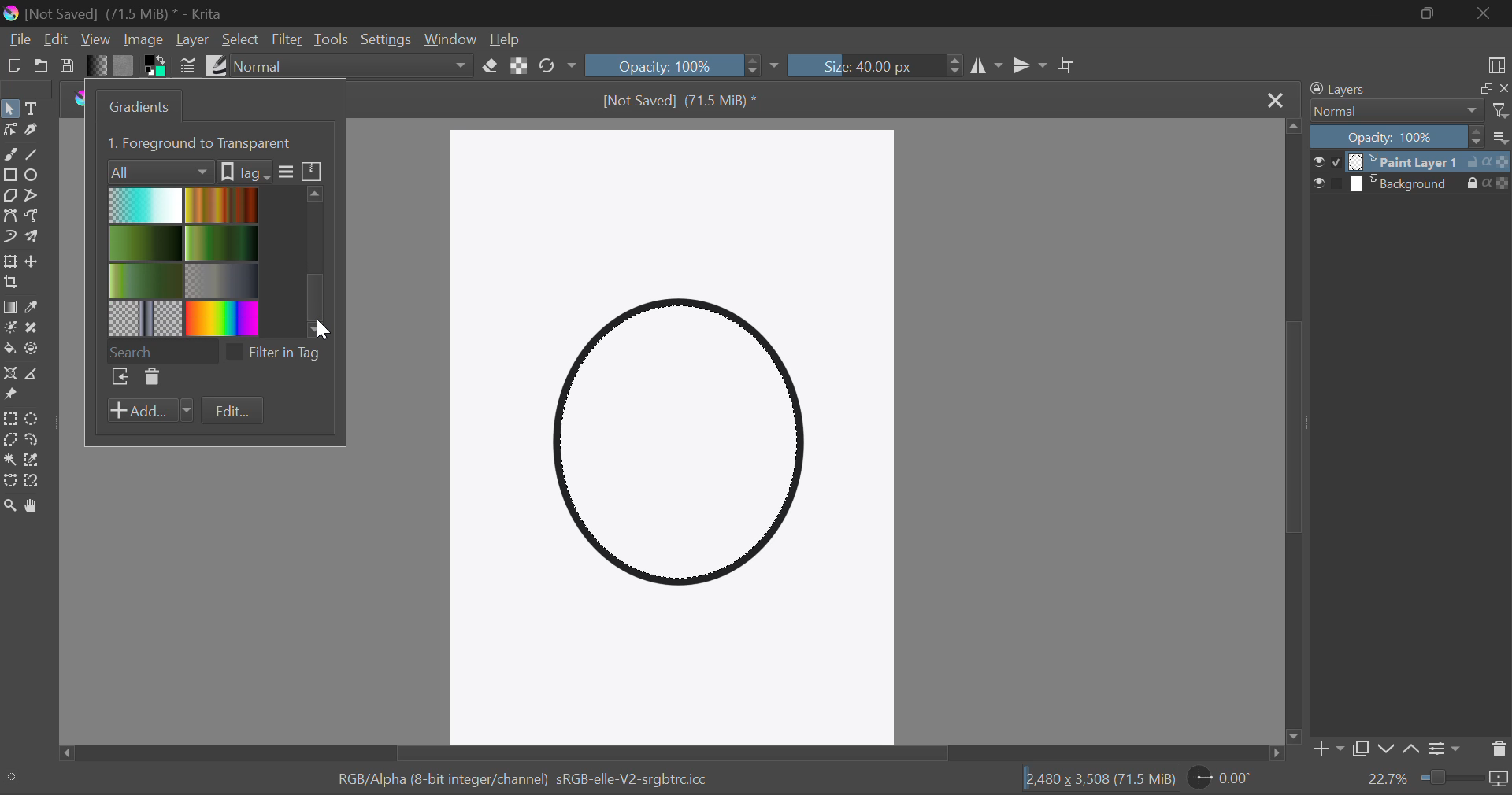  I want to click on Minimize, so click(1430, 14).